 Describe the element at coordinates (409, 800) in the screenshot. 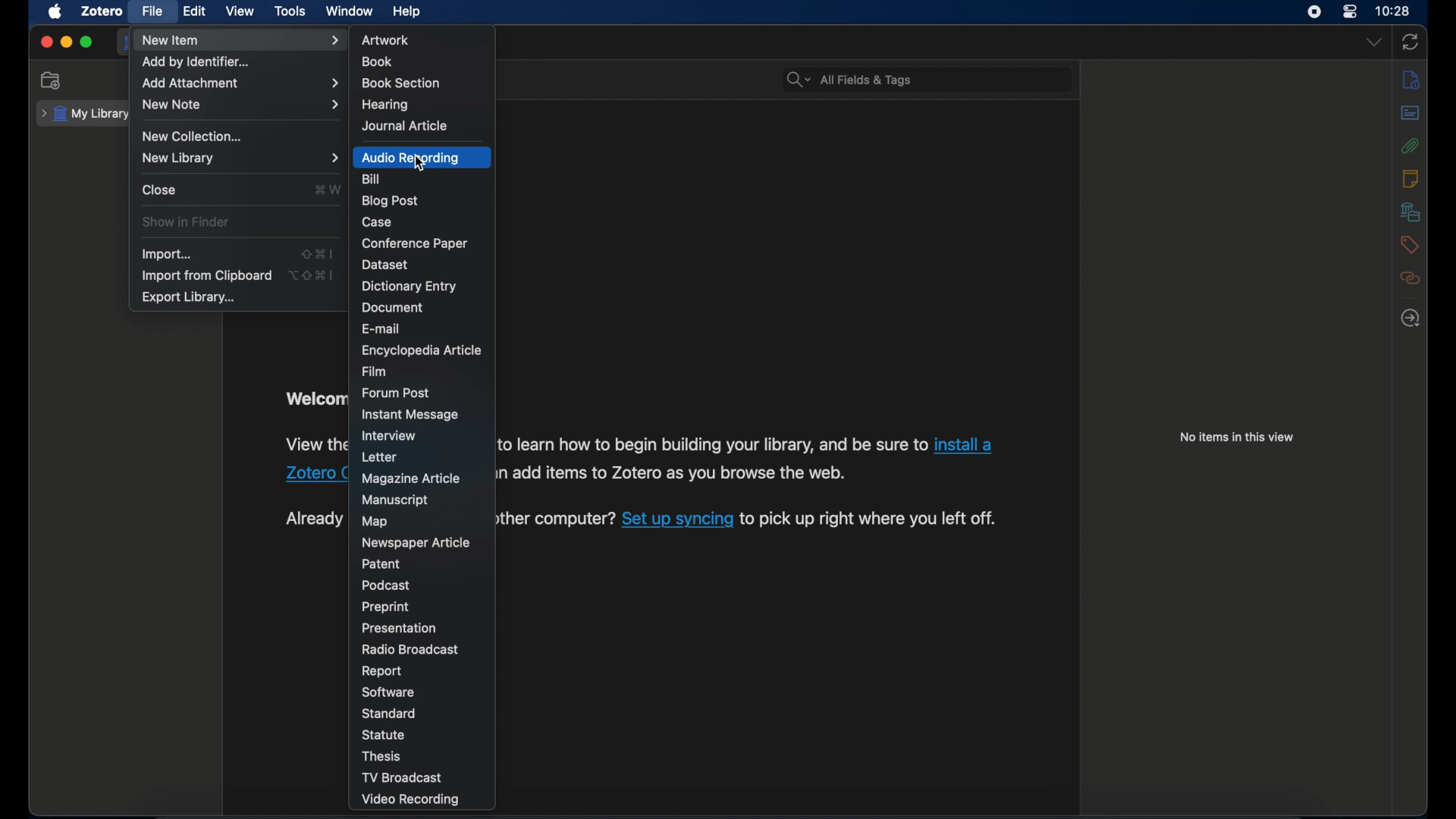

I see `video recording` at that location.